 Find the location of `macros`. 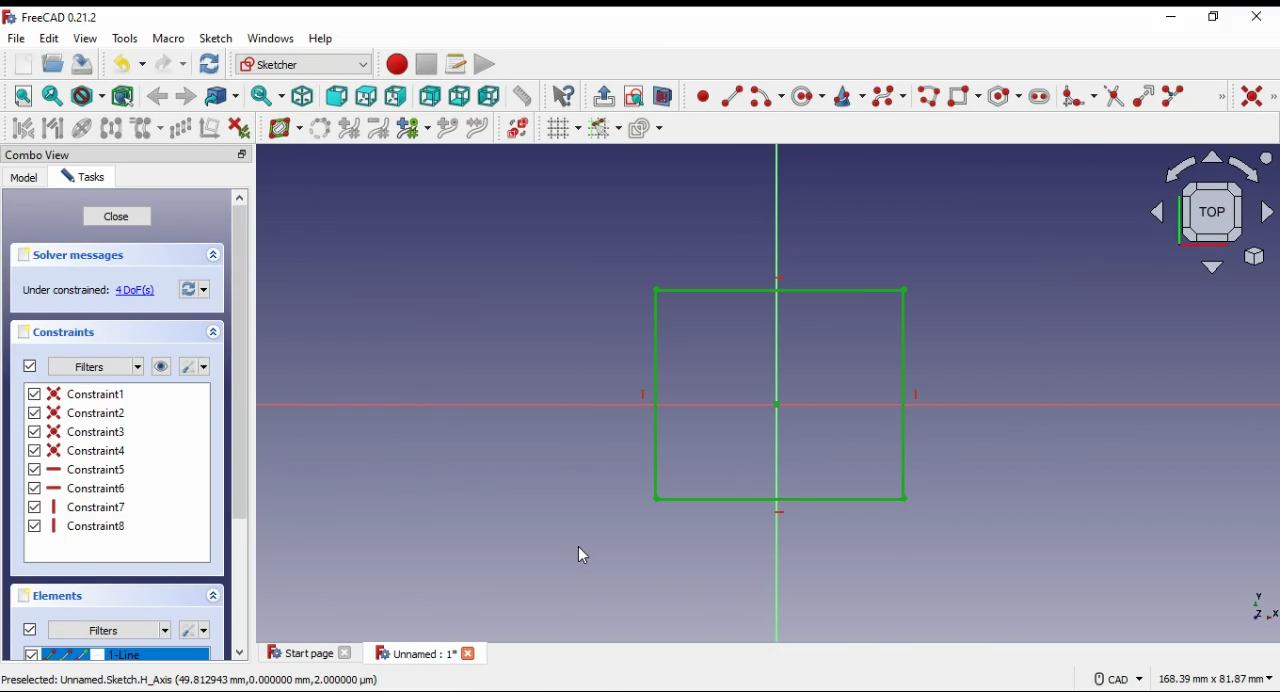

macros is located at coordinates (455, 65).